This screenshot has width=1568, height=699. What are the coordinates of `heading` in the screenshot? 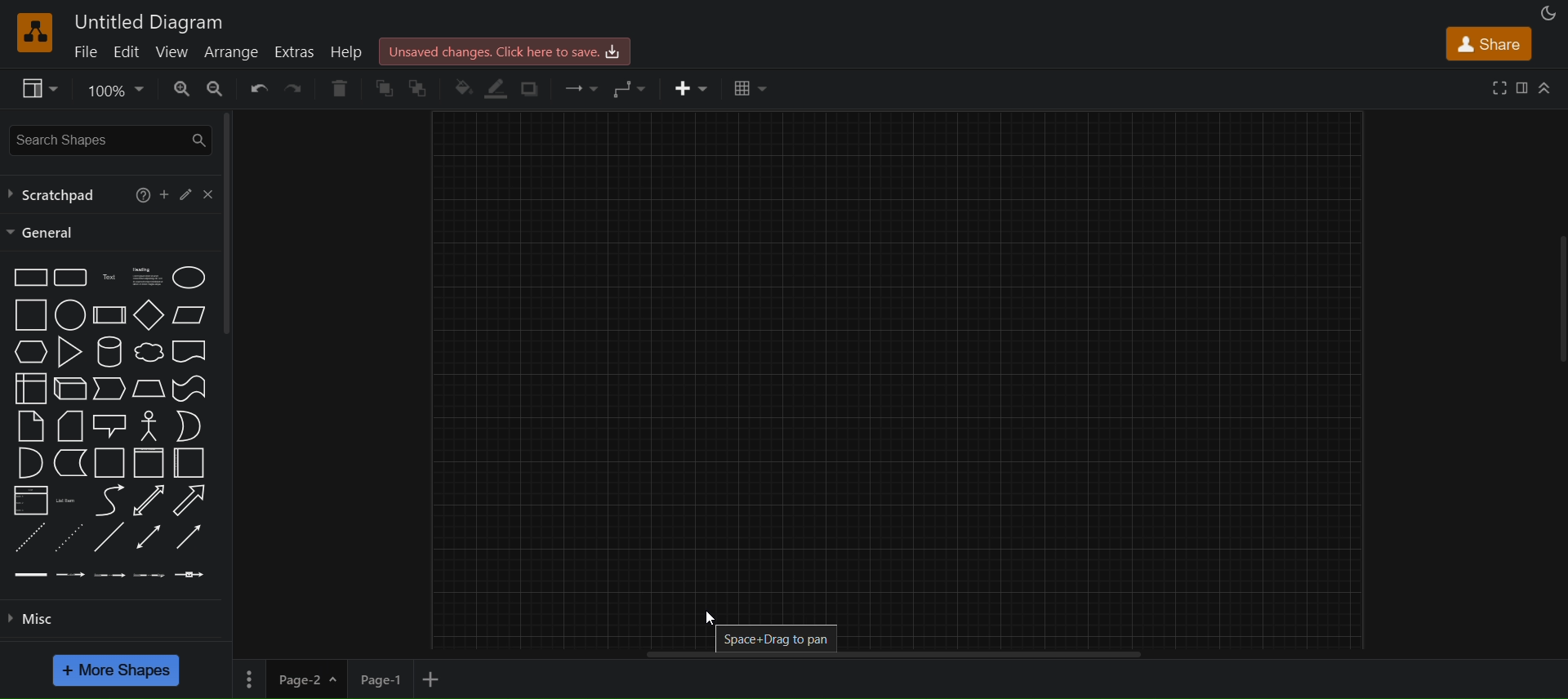 It's located at (146, 276).